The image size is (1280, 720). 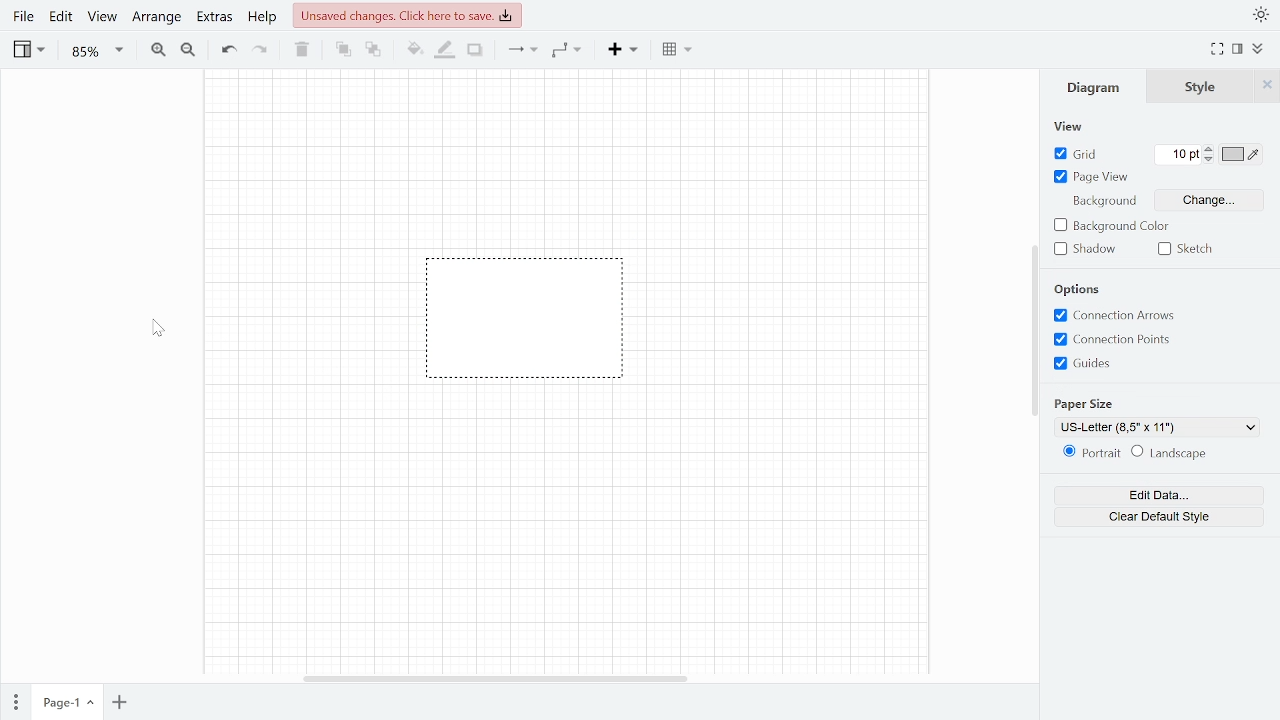 What do you see at coordinates (1129, 316) in the screenshot?
I see `Connection arrows` at bounding box center [1129, 316].